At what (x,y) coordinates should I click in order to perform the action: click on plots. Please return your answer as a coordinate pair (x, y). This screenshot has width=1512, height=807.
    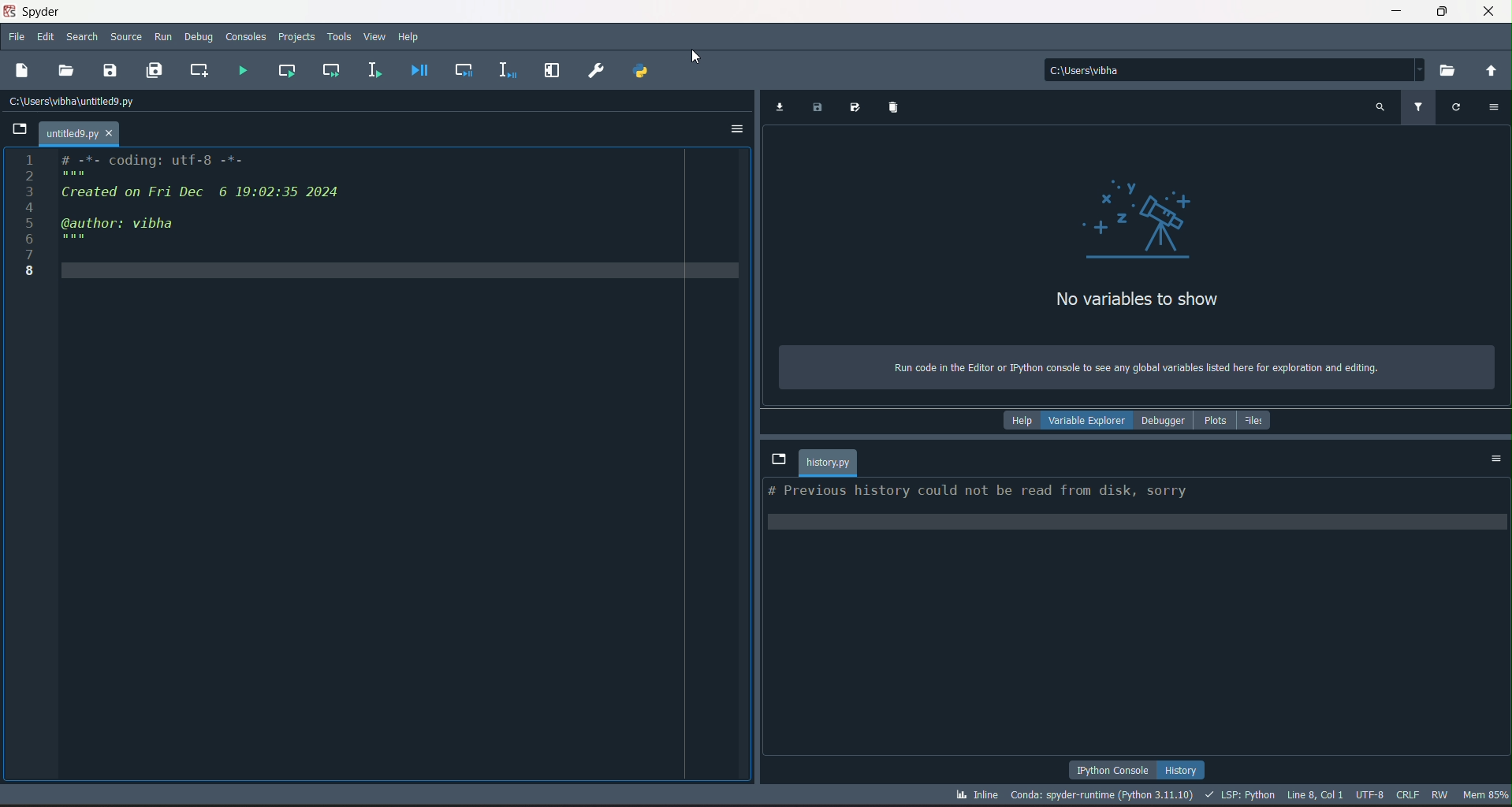
    Looking at the image, I should click on (1216, 419).